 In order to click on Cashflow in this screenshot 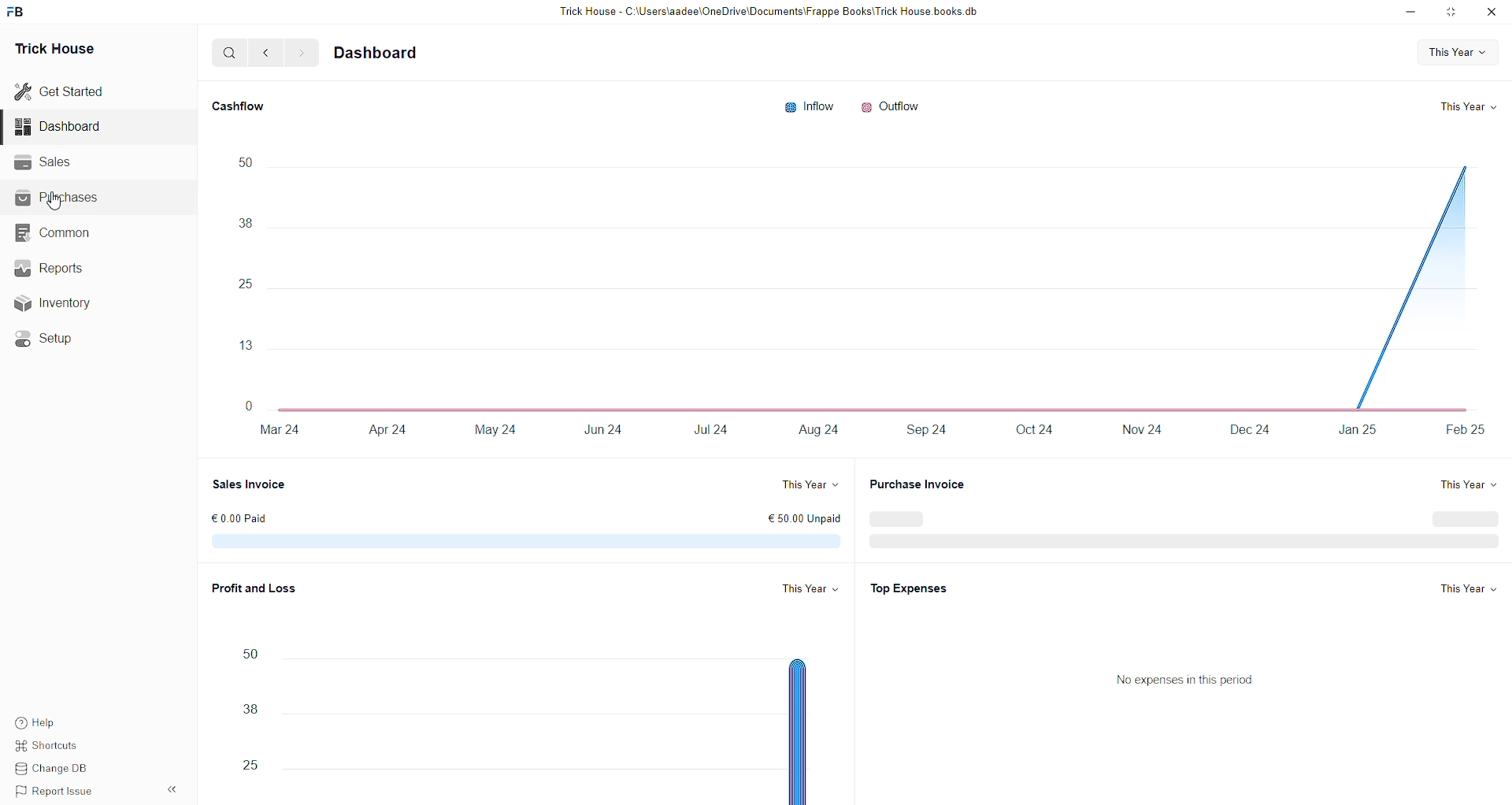, I will do `click(242, 103)`.